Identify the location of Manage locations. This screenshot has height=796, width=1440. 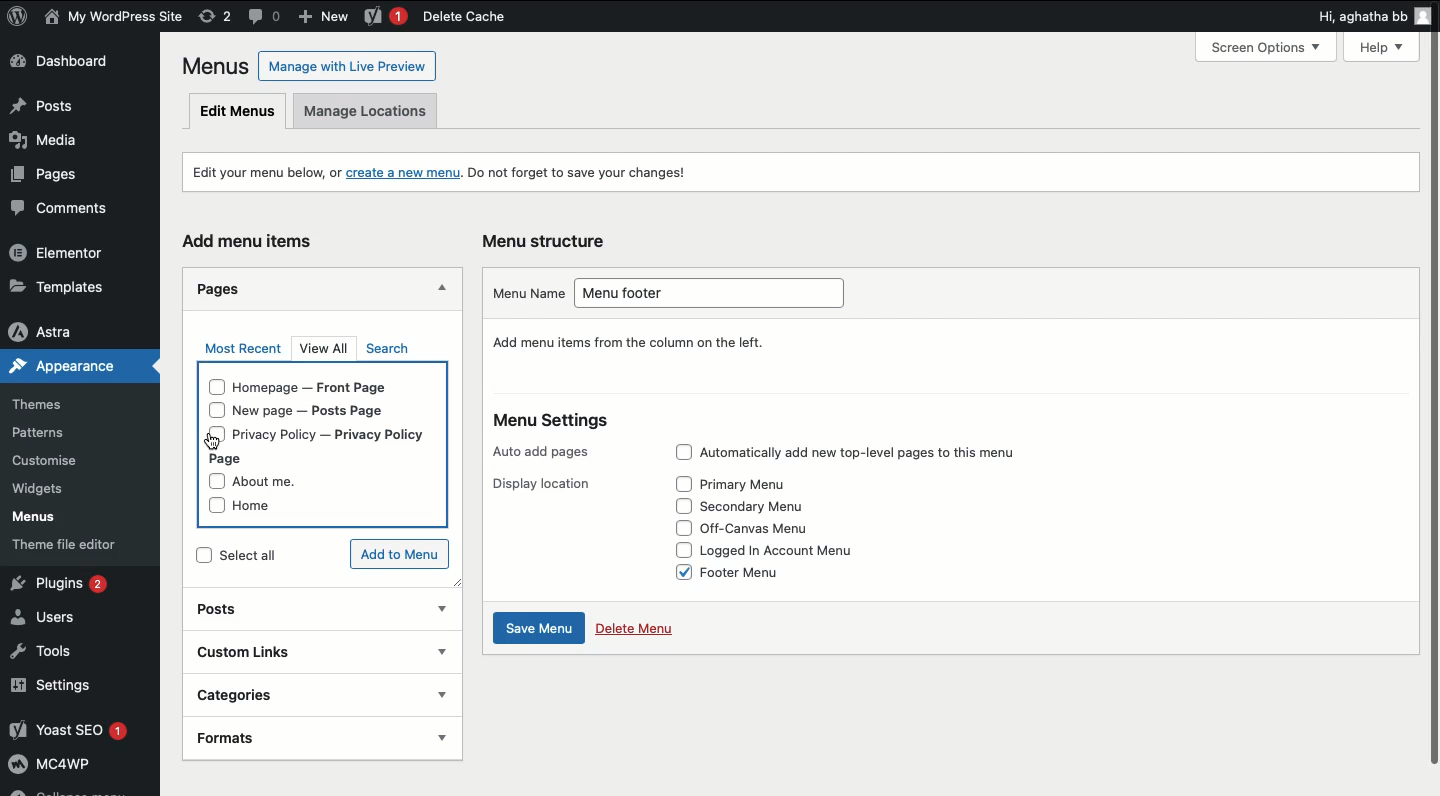
(374, 111).